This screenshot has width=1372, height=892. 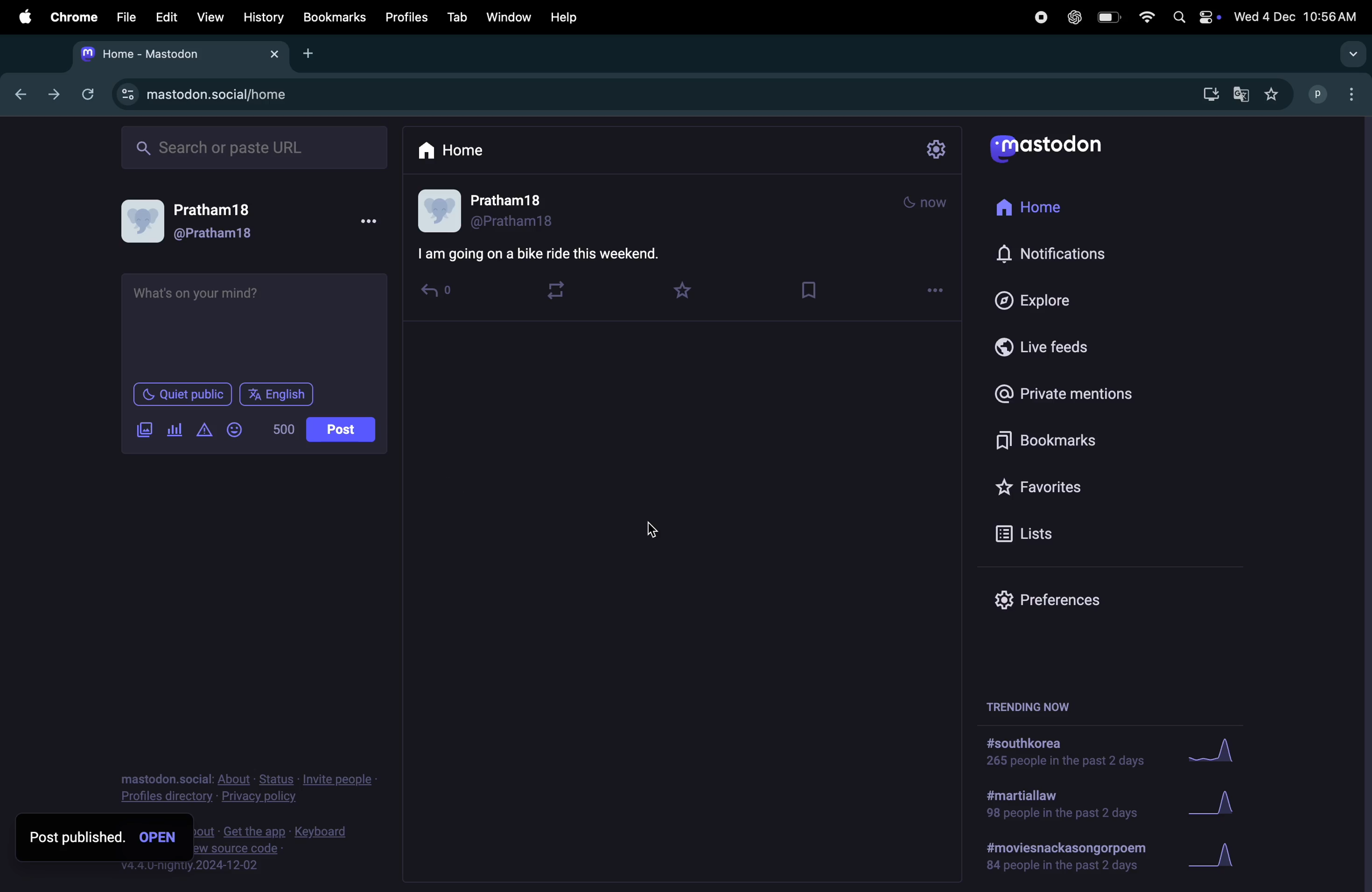 I want to click on Privacy and policy, so click(x=258, y=788).